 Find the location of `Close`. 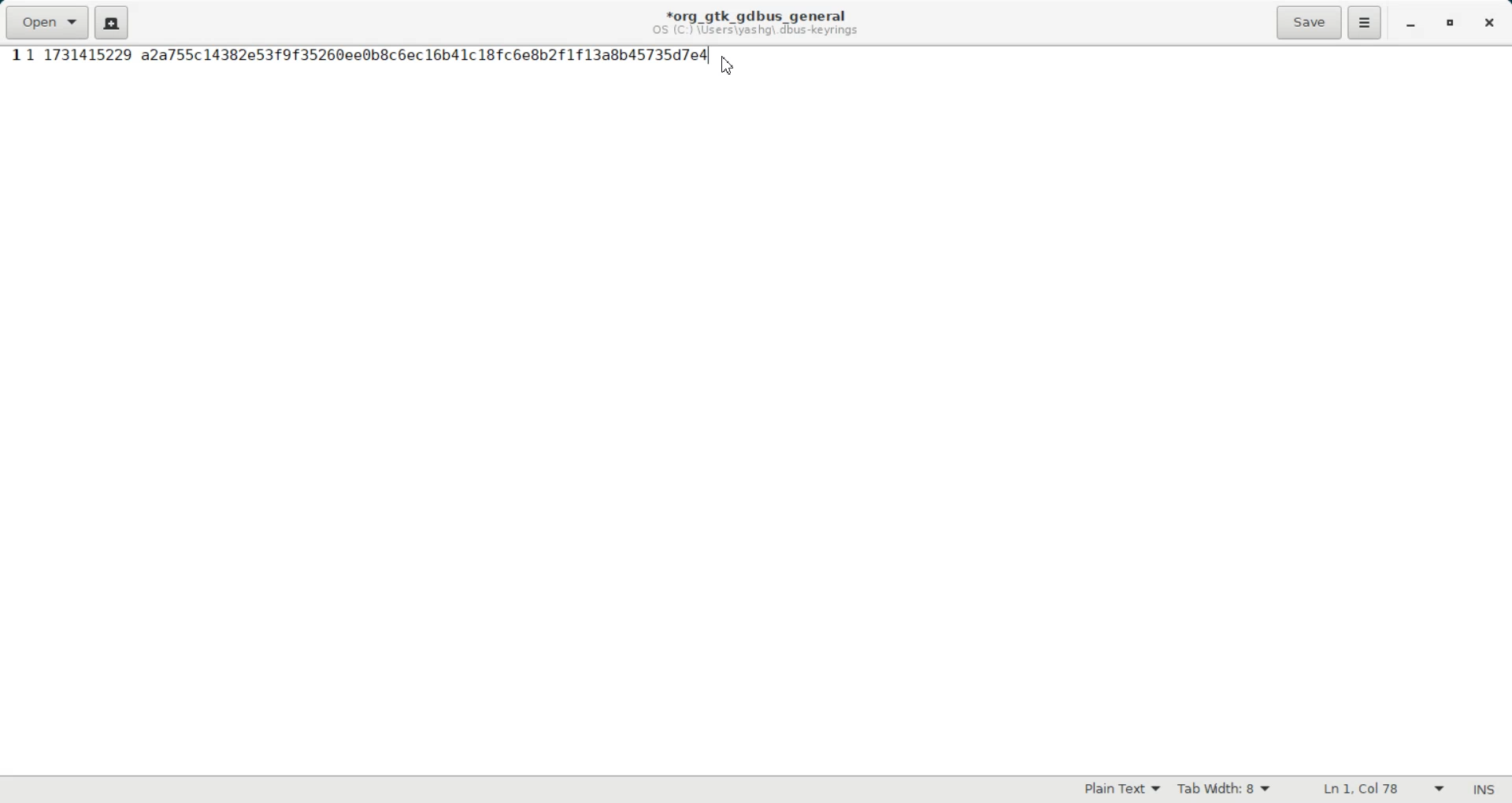

Close is located at coordinates (1488, 24).